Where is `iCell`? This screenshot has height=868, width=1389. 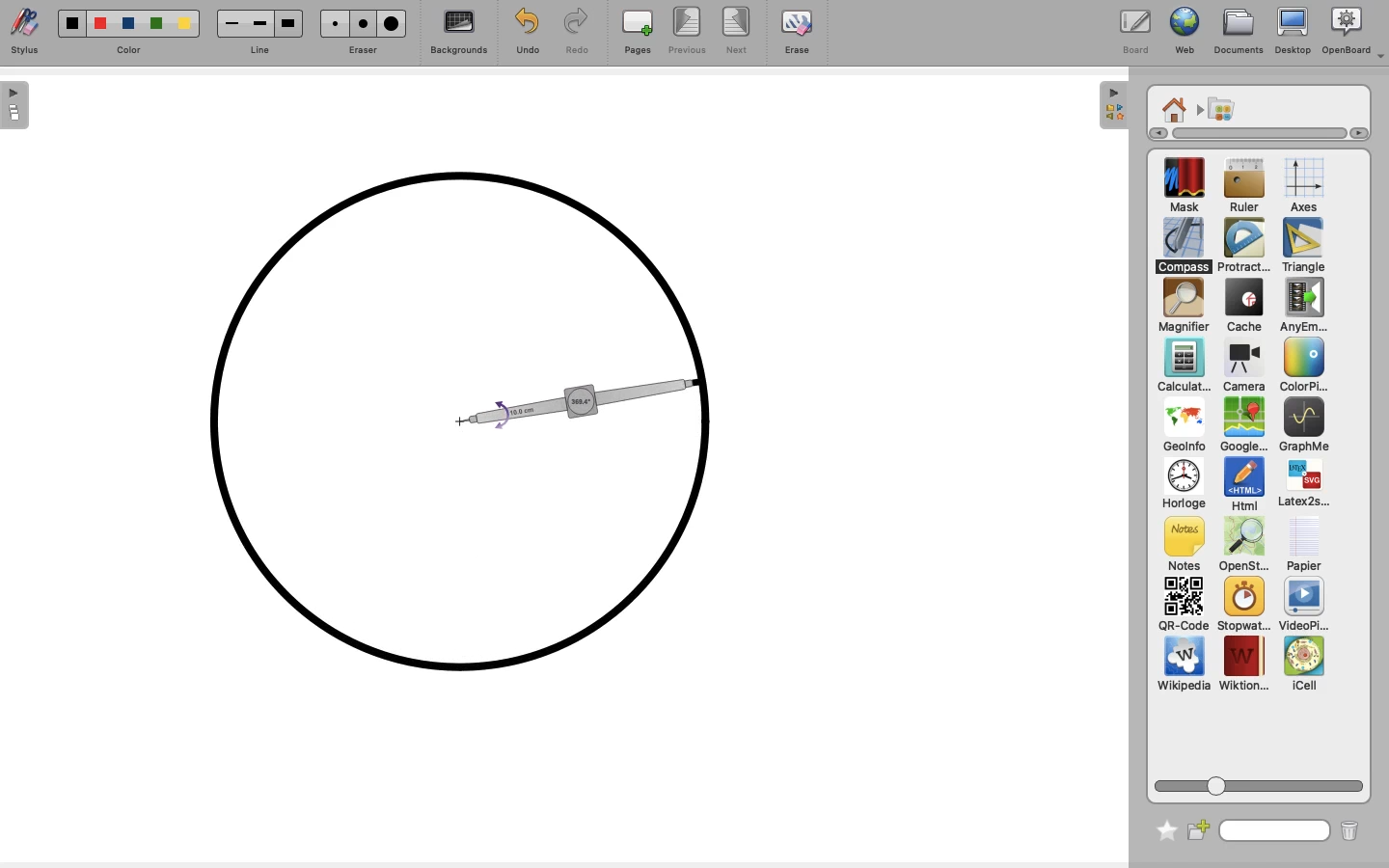 iCell is located at coordinates (1305, 665).